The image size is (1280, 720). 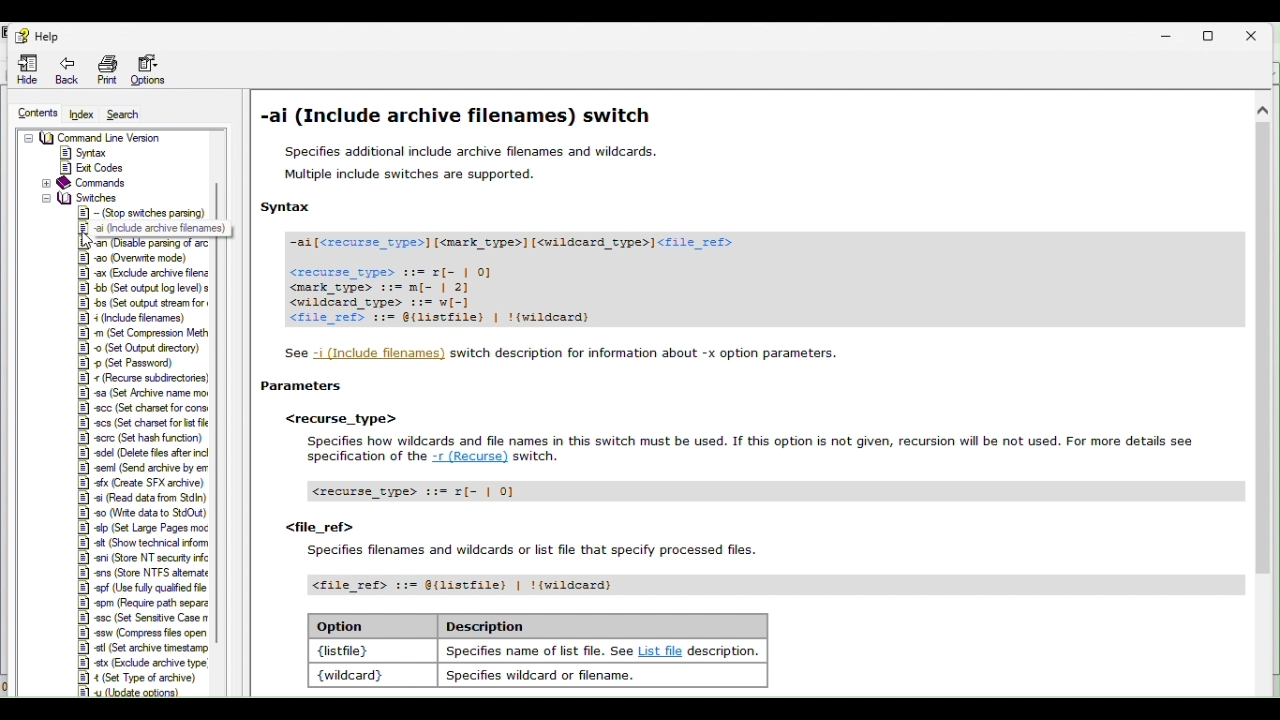 What do you see at coordinates (146, 287) in the screenshot?
I see `Set output log level) s` at bounding box center [146, 287].